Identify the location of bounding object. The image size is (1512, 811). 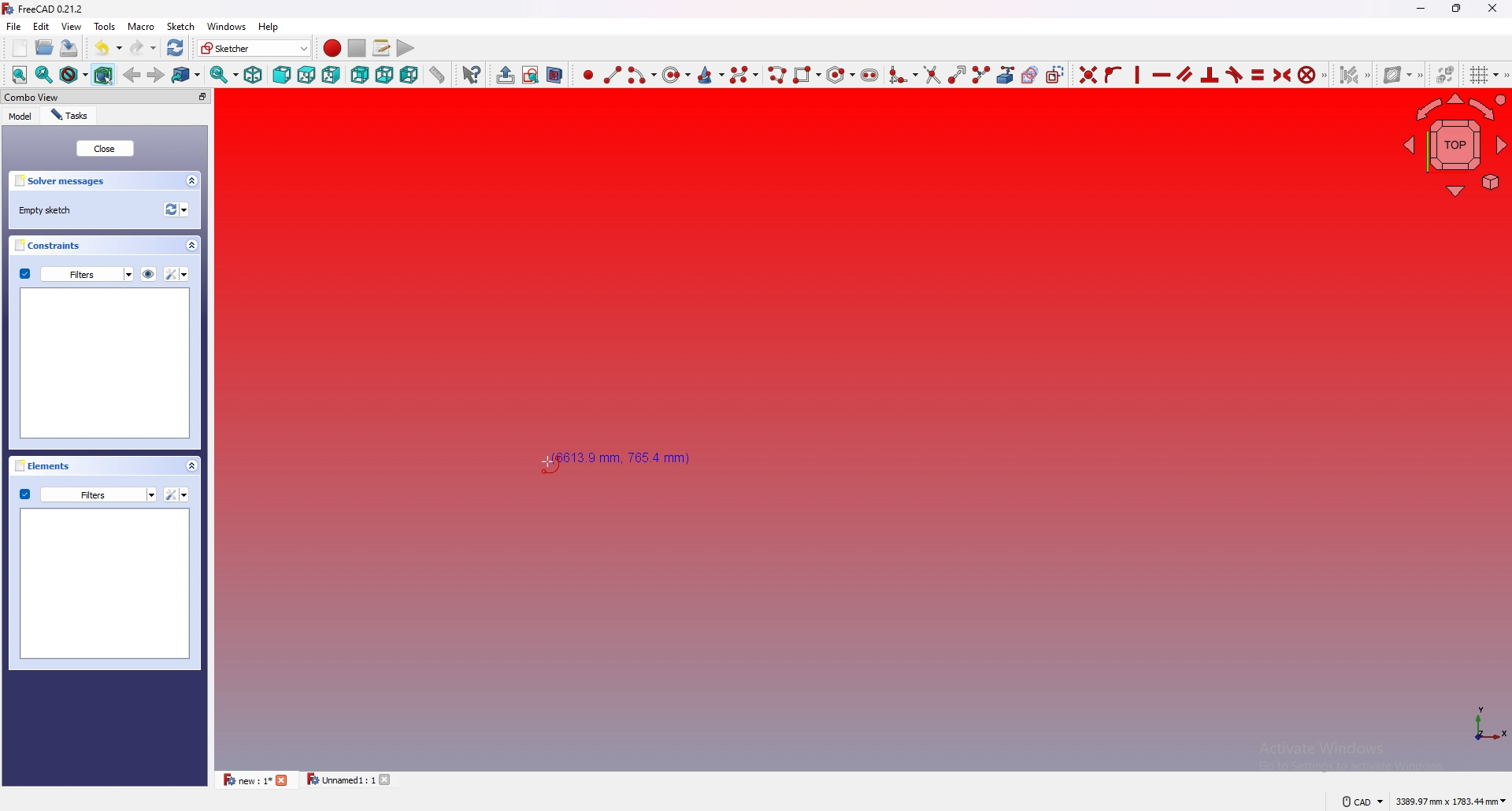
(104, 73).